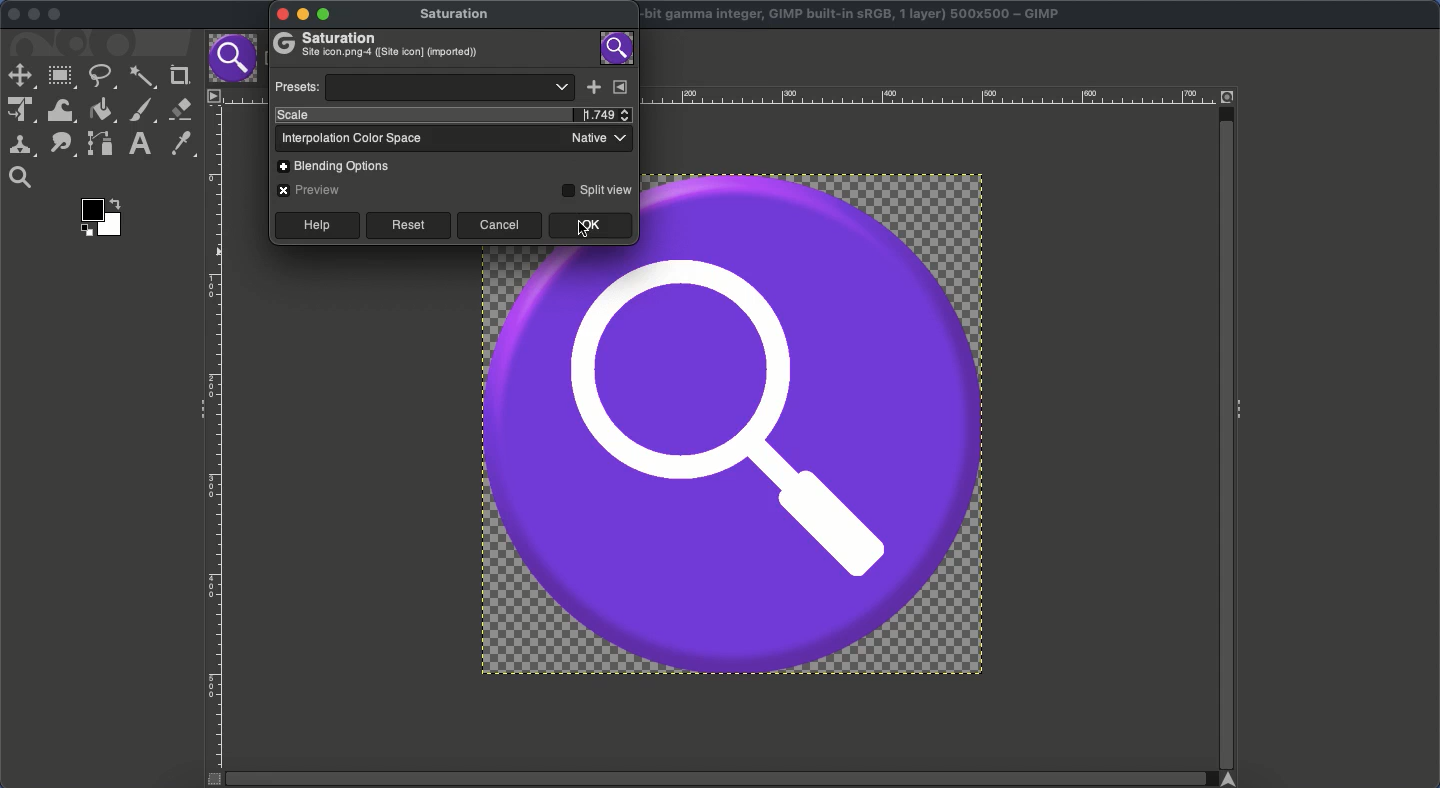 The image size is (1440, 788). Describe the element at coordinates (1245, 411) in the screenshot. I see `Collapse` at that location.